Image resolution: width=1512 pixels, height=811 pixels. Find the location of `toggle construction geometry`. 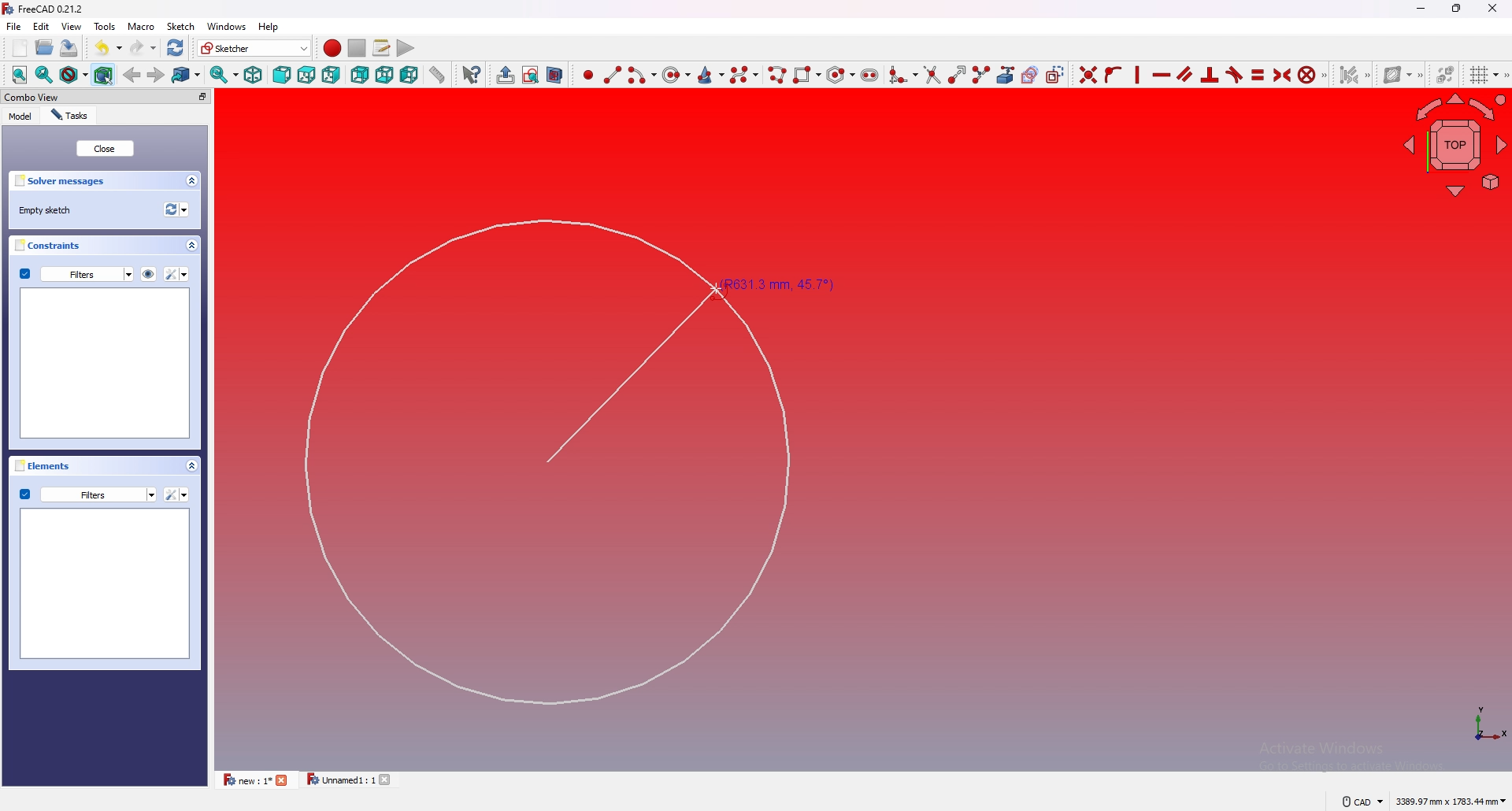

toggle construction geometry is located at coordinates (1057, 73).